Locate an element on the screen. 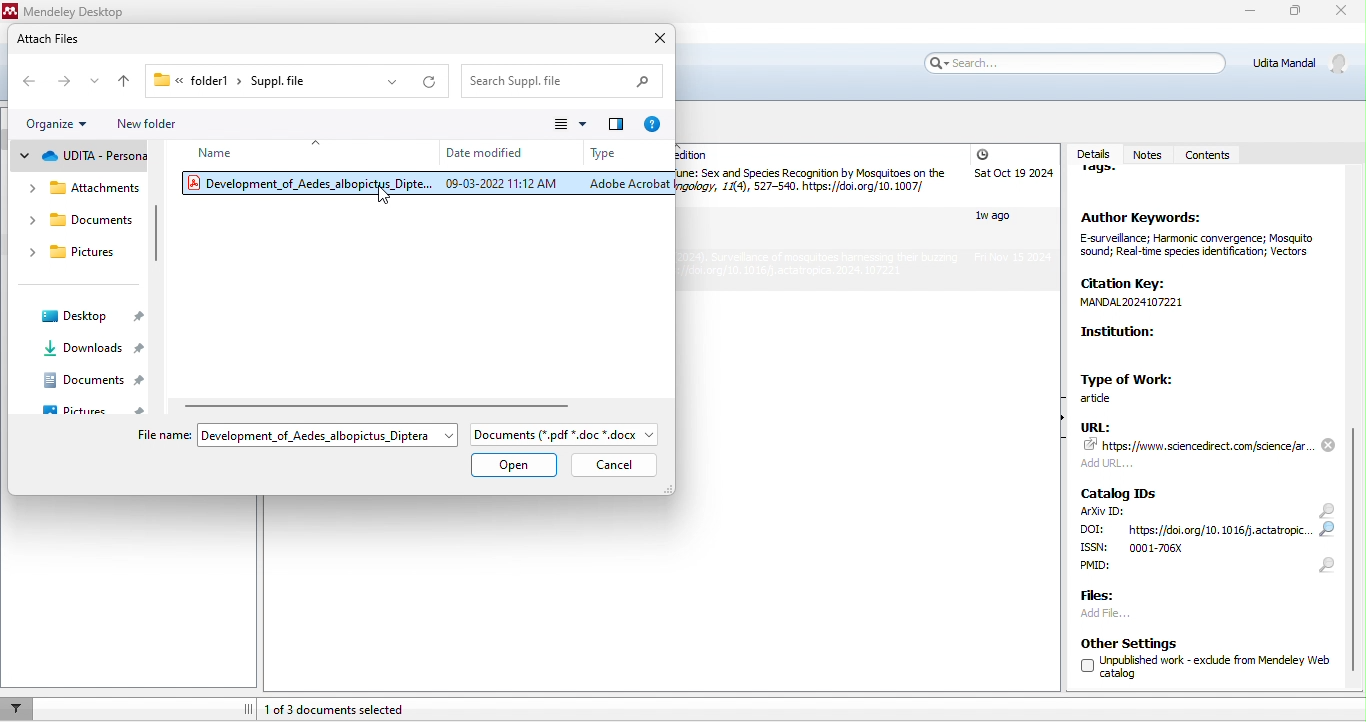  pictures is located at coordinates (91, 405).